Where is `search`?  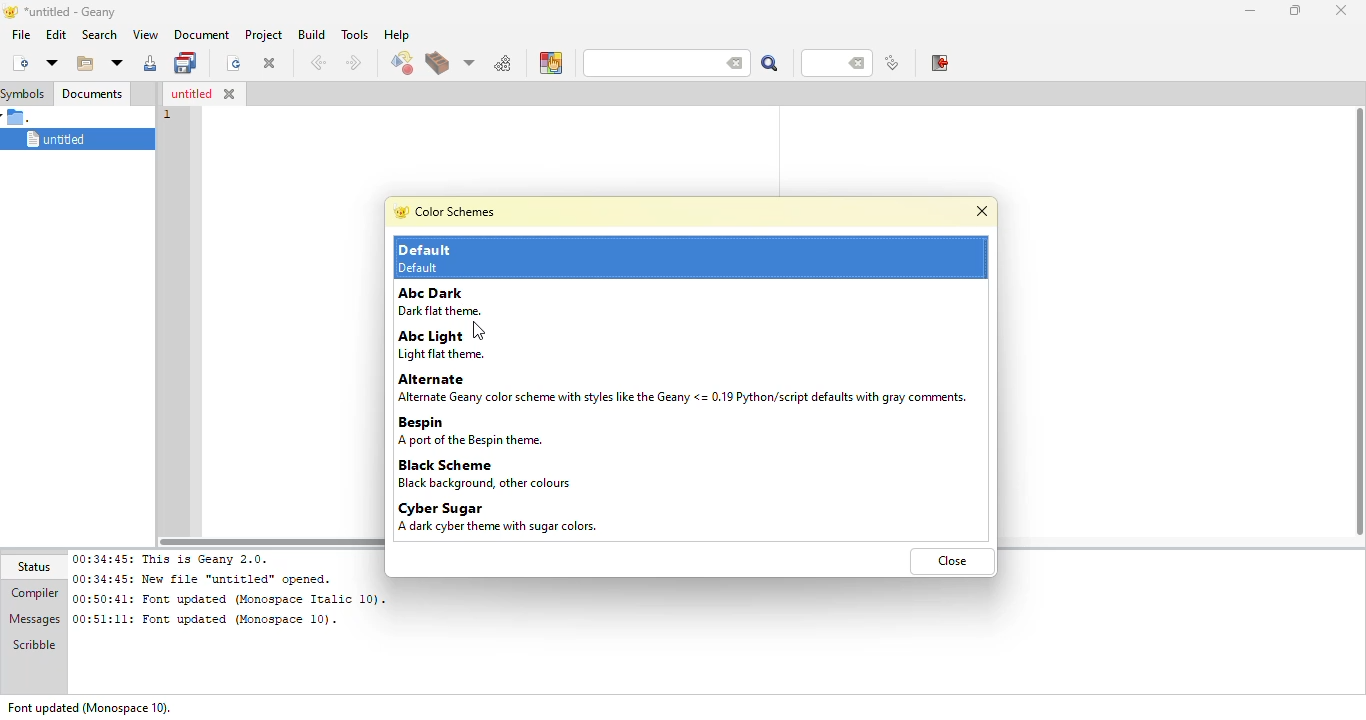 search is located at coordinates (97, 34).